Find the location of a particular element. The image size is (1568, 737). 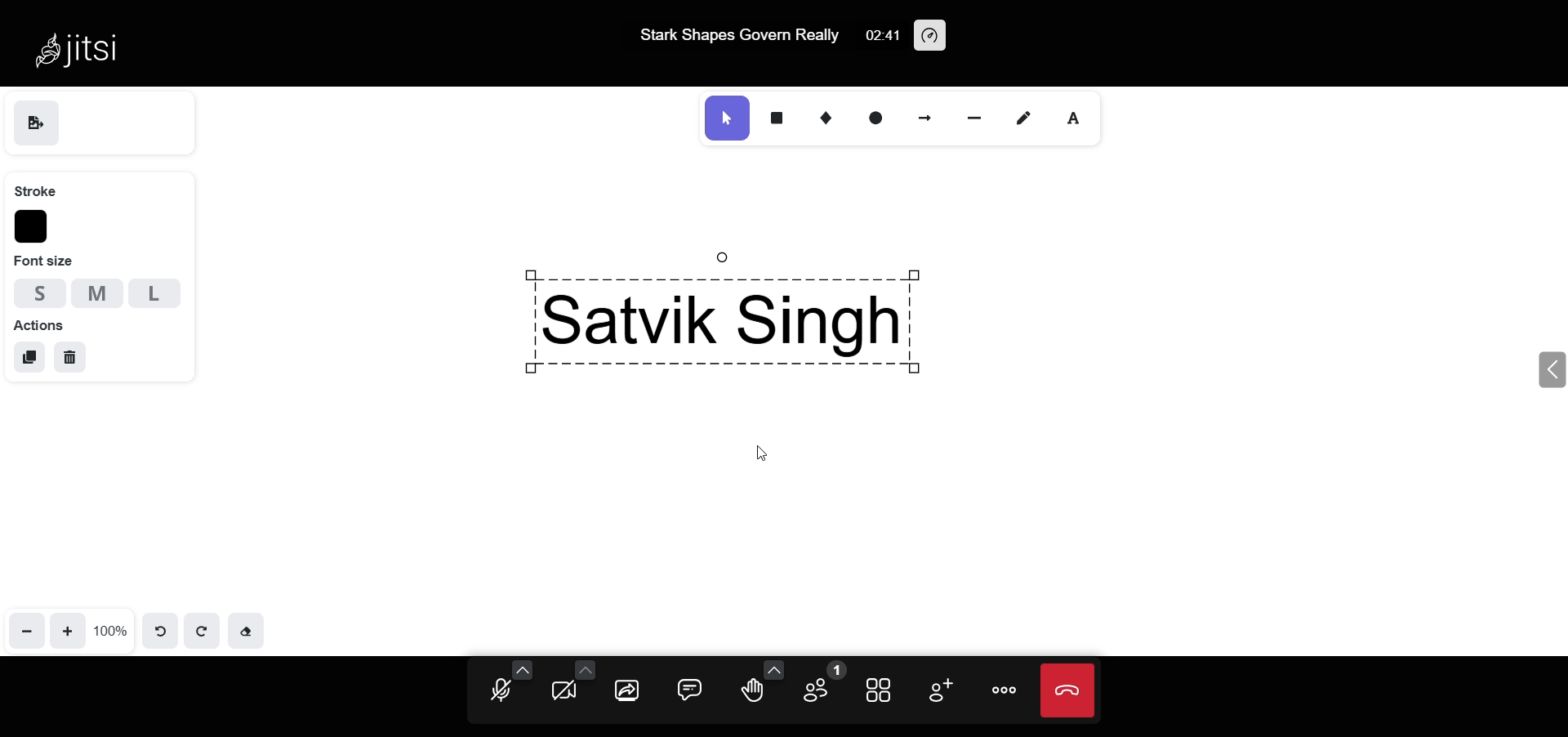

performance setting is located at coordinates (933, 37).